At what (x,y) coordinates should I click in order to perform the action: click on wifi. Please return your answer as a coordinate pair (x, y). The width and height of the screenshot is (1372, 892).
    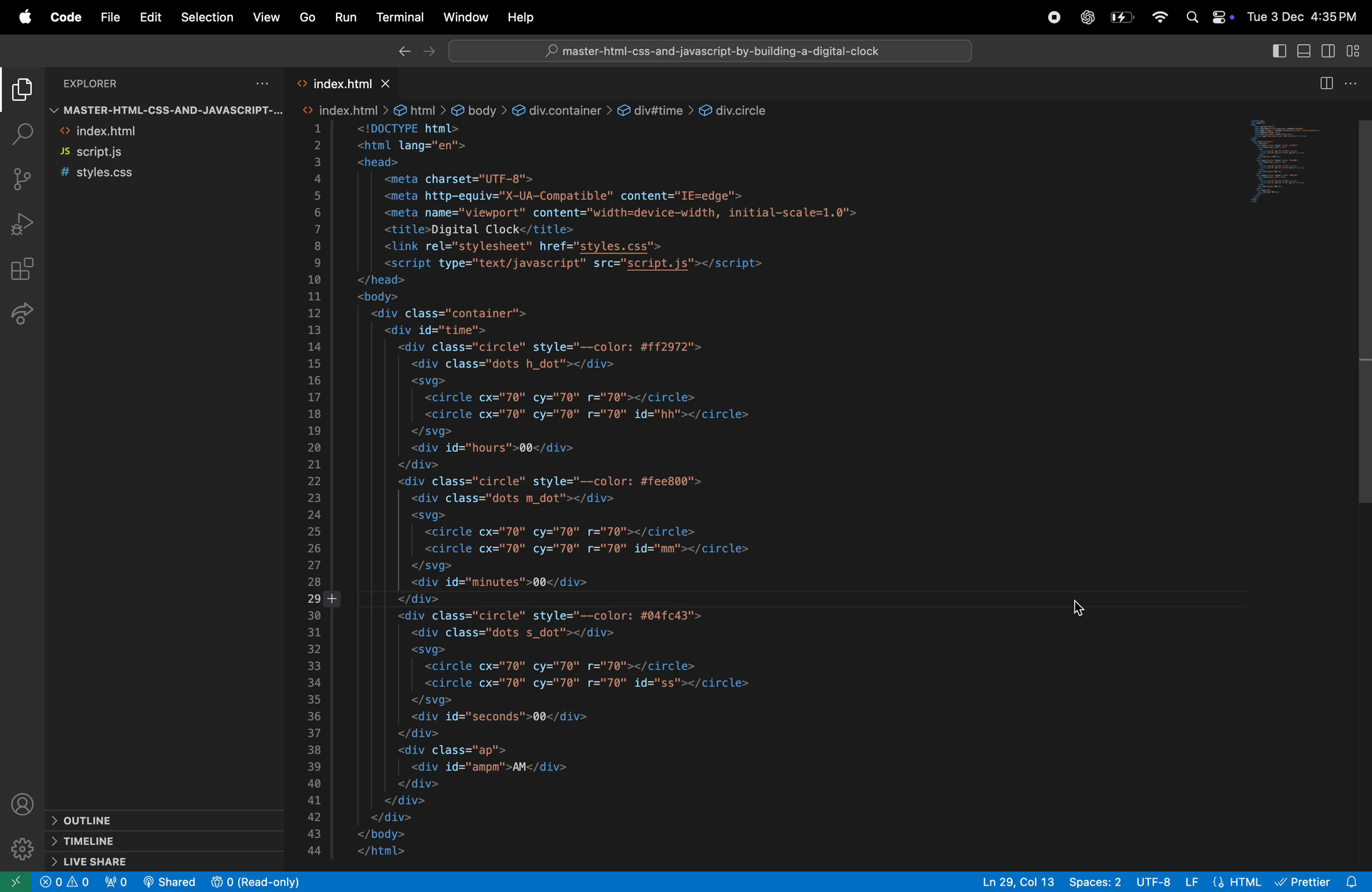
    Looking at the image, I should click on (1157, 17).